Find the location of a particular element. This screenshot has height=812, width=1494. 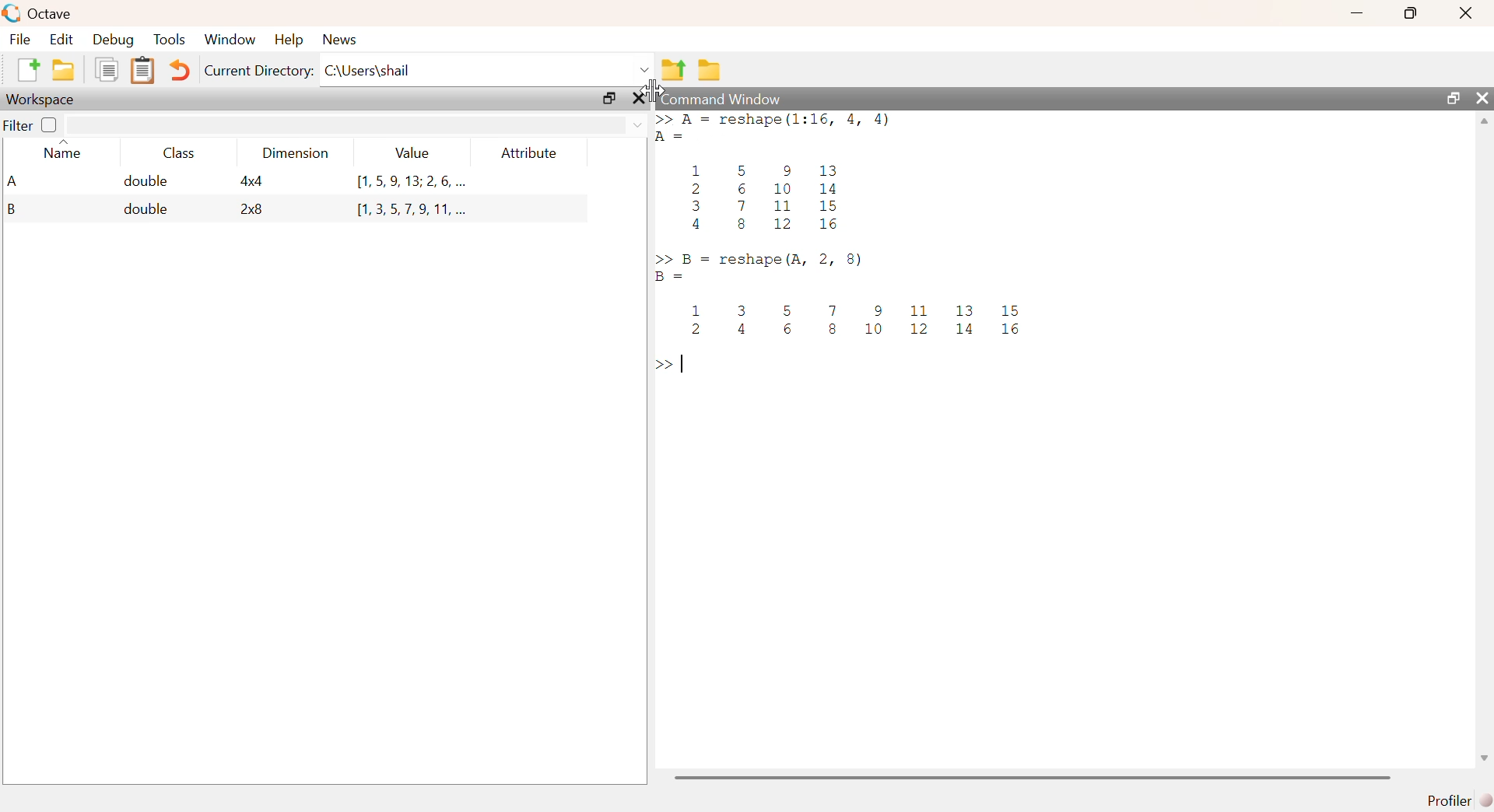

one directory up is located at coordinates (673, 70).